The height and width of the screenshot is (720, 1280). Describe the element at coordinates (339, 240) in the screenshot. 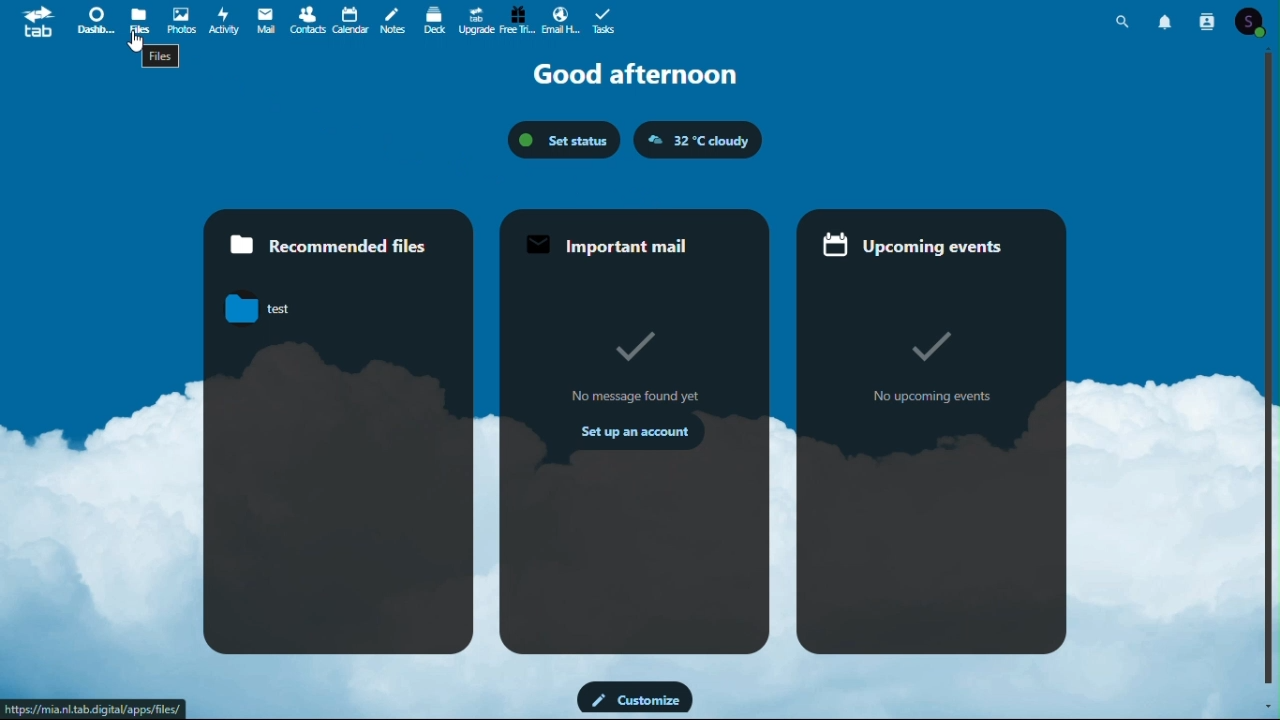

I see `recommended files` at that location.